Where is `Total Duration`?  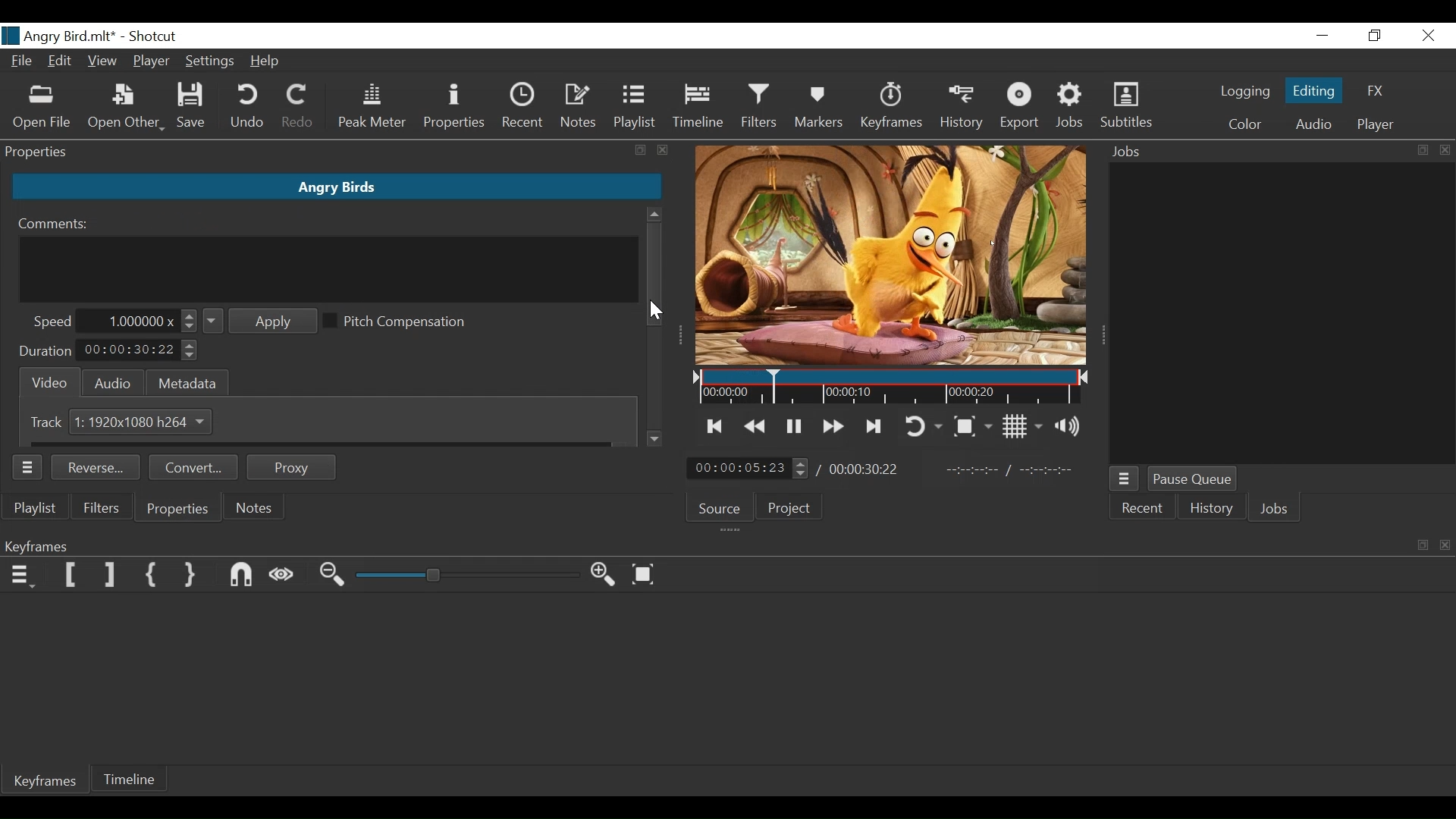 Total Duration is located at coordinates (866, 469).